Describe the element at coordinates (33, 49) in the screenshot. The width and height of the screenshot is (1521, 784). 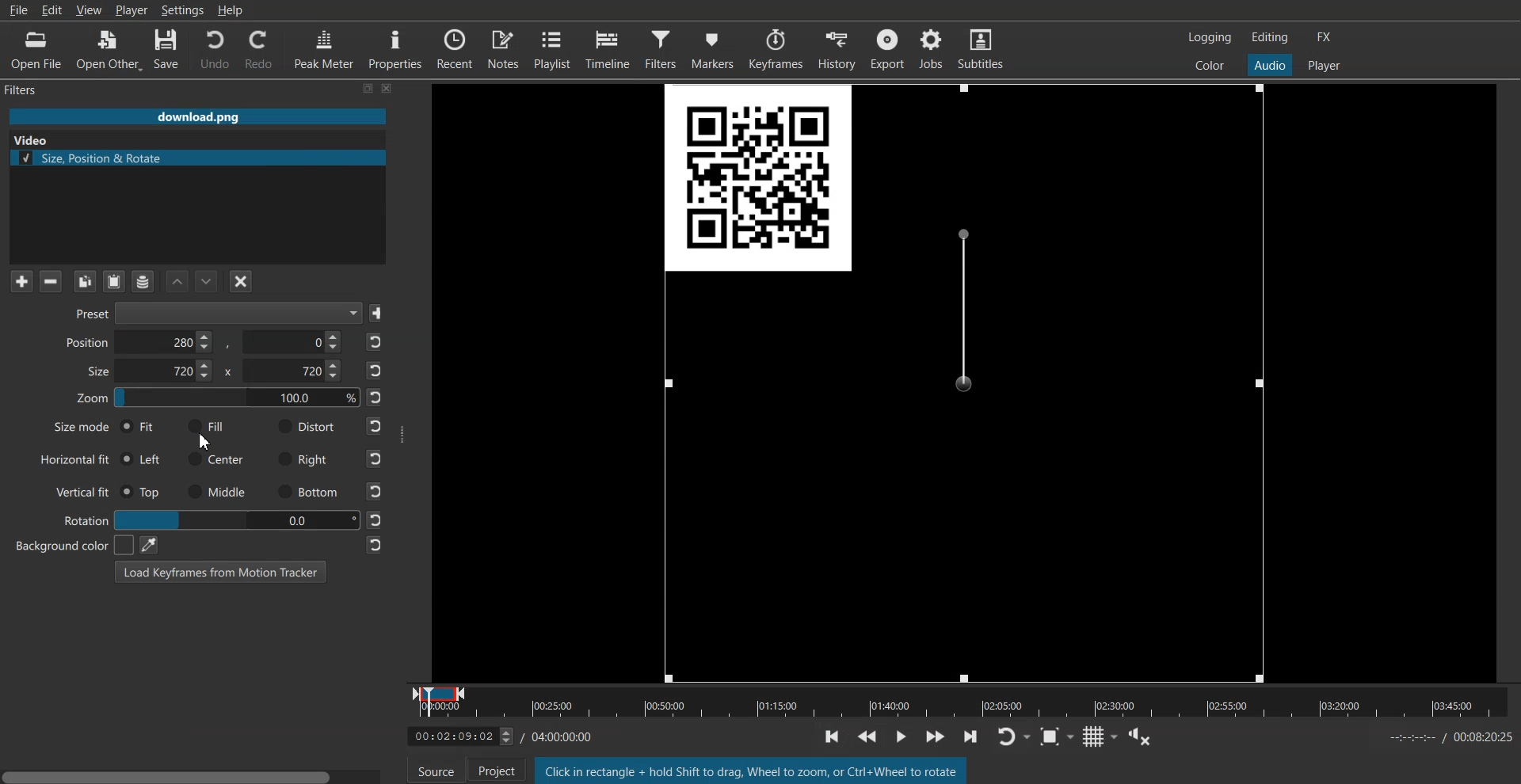
I see `Open File` at that location.